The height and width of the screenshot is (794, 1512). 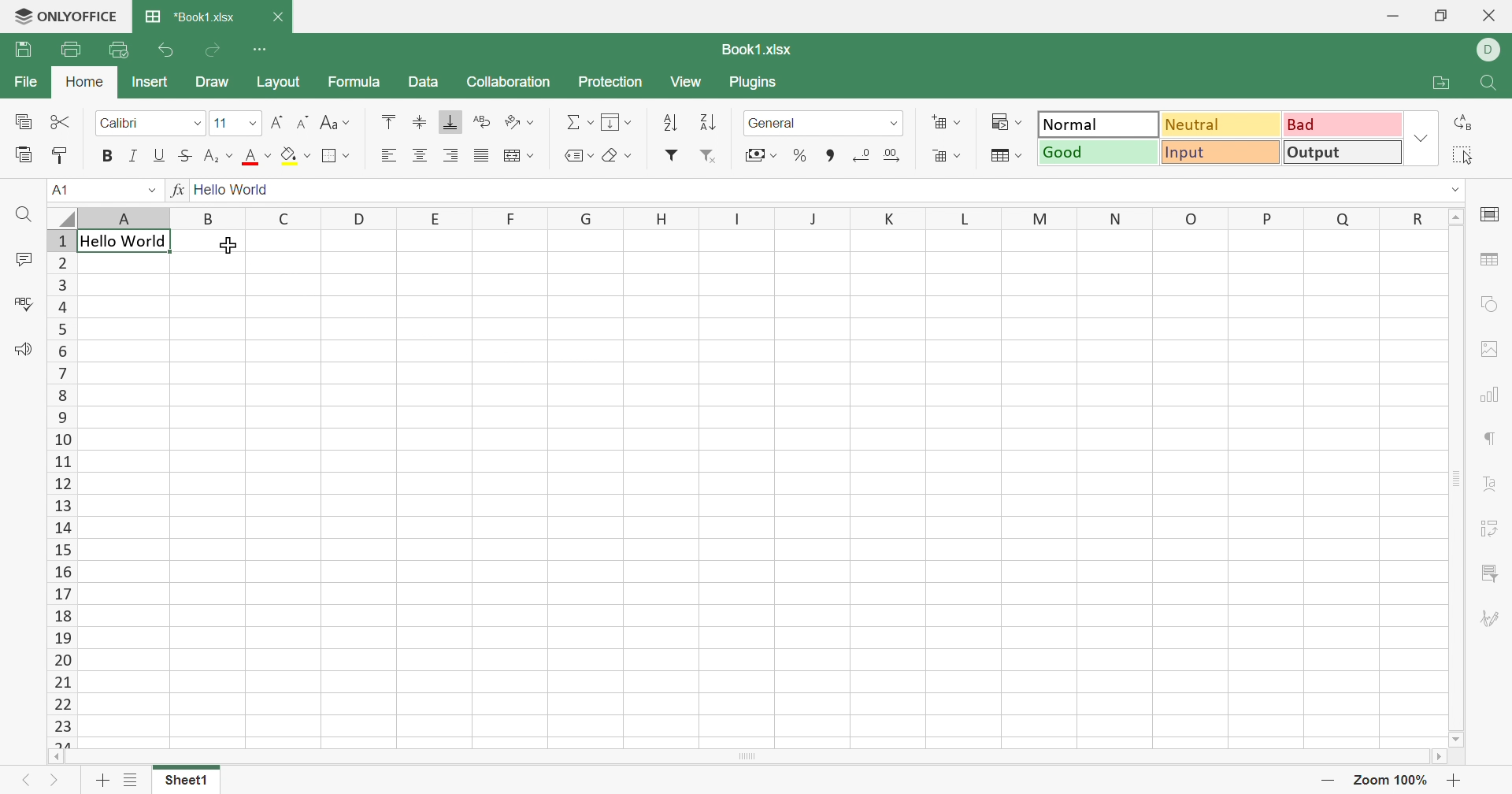 I want to click on Drop down, so click(x=899, y=123).